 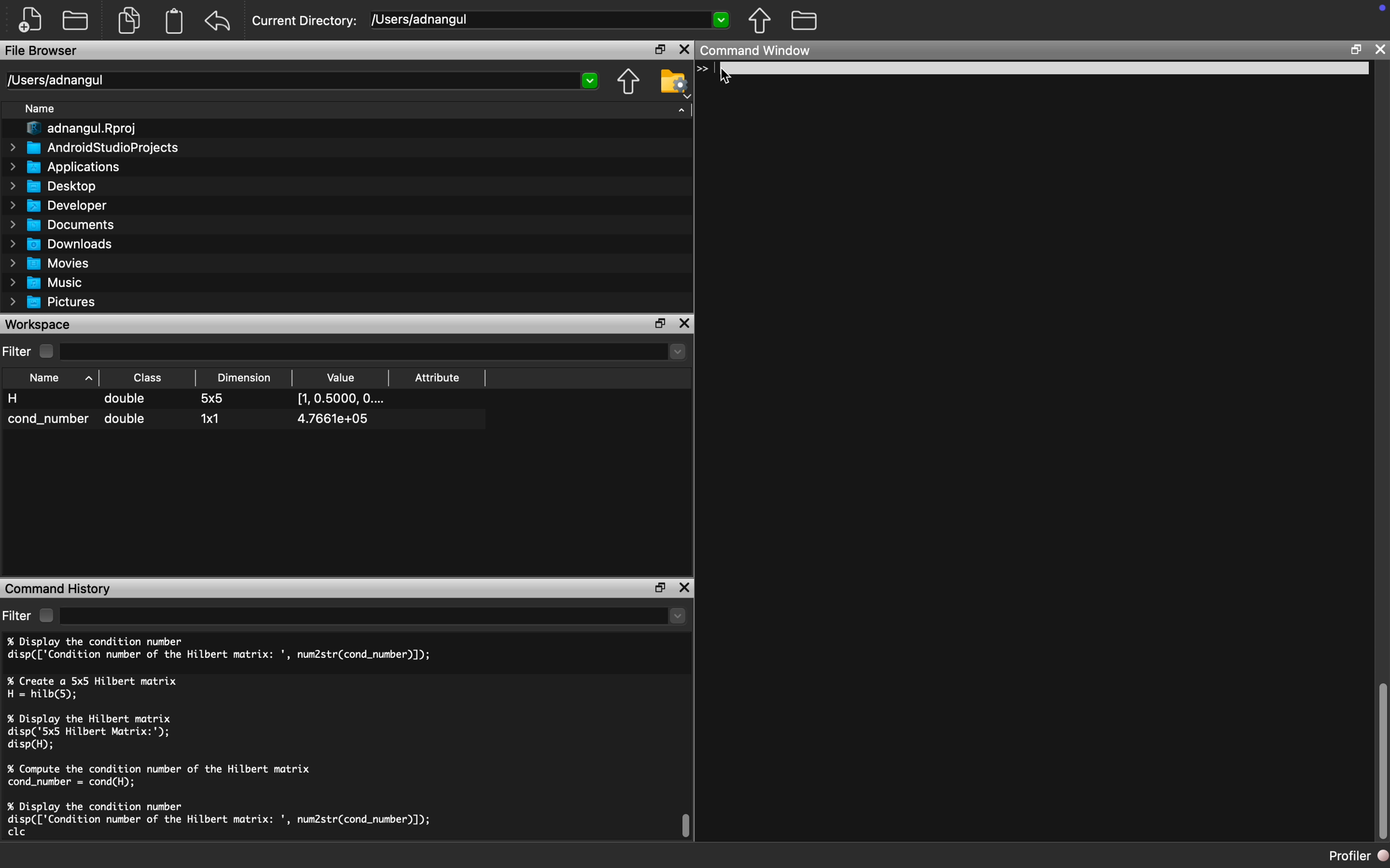 What do you see at coordinates (660, 322) in the screenshot?
I see `Restore Down` at bounding box center [660, 322].